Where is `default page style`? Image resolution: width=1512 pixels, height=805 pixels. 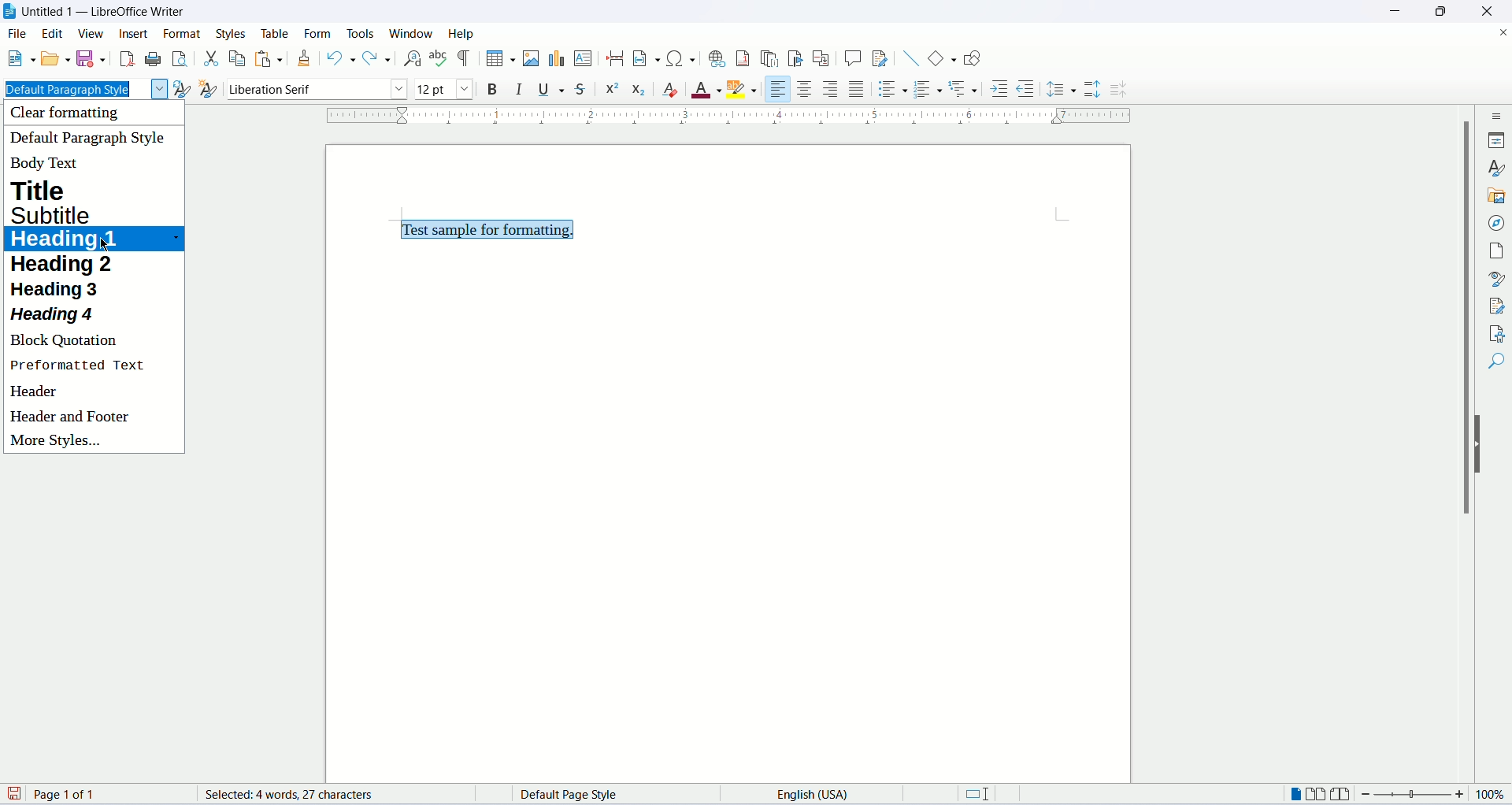 default page style is located at coordinates (583, 795).